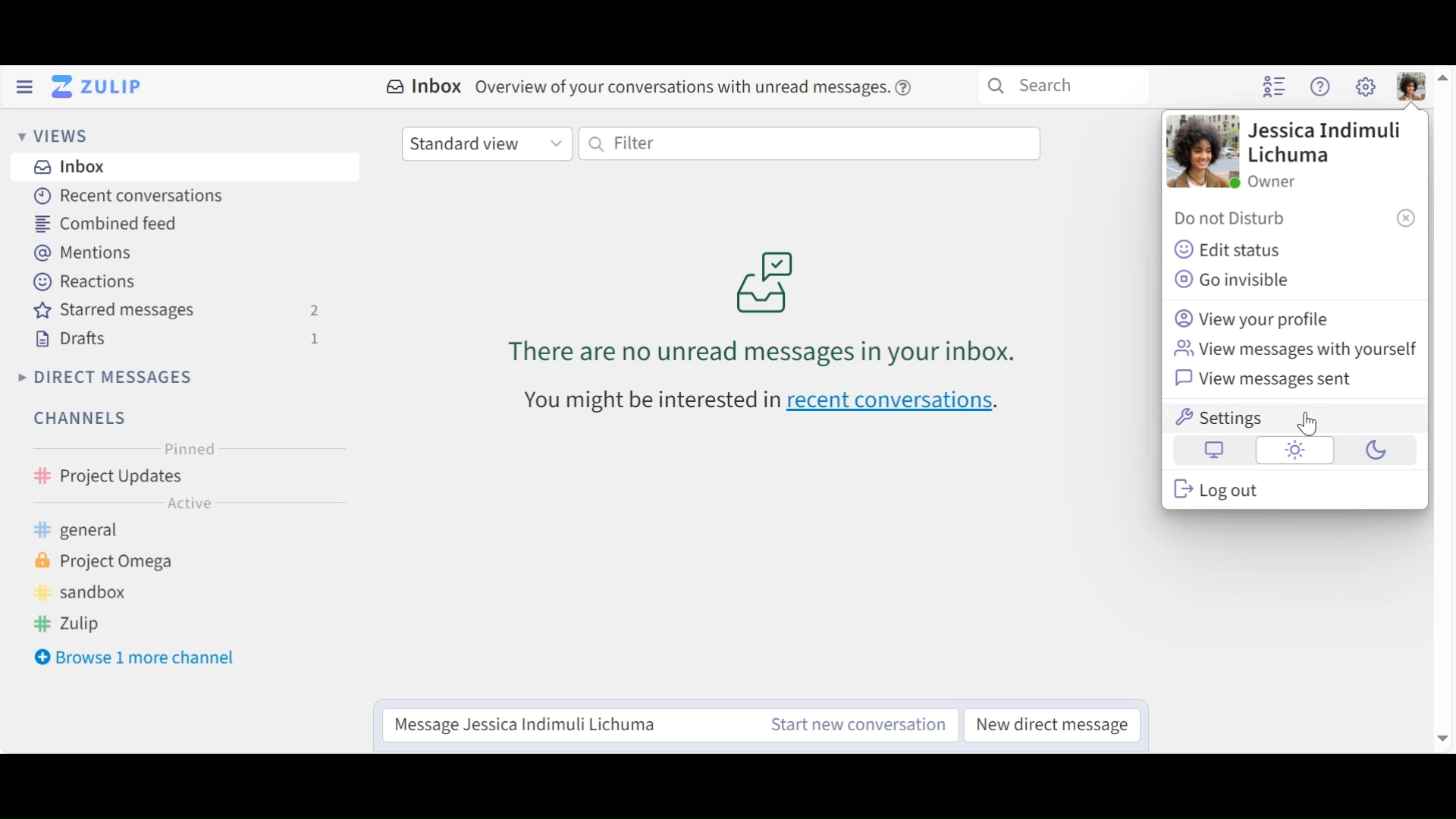 Image resolution: width=1456 pixels, height=819 pixels. I want to click on Views, so click(54, 136).